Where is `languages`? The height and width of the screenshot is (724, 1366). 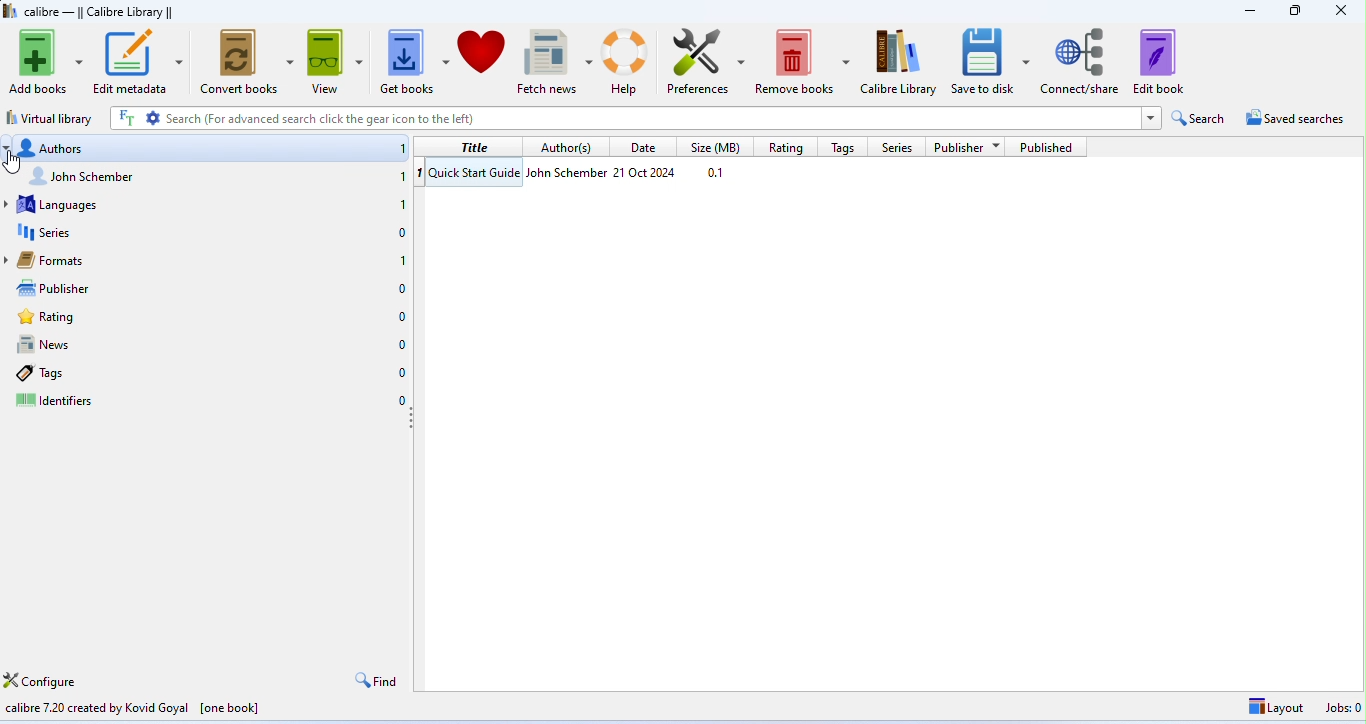
languages is located at coordinates (214, 205).